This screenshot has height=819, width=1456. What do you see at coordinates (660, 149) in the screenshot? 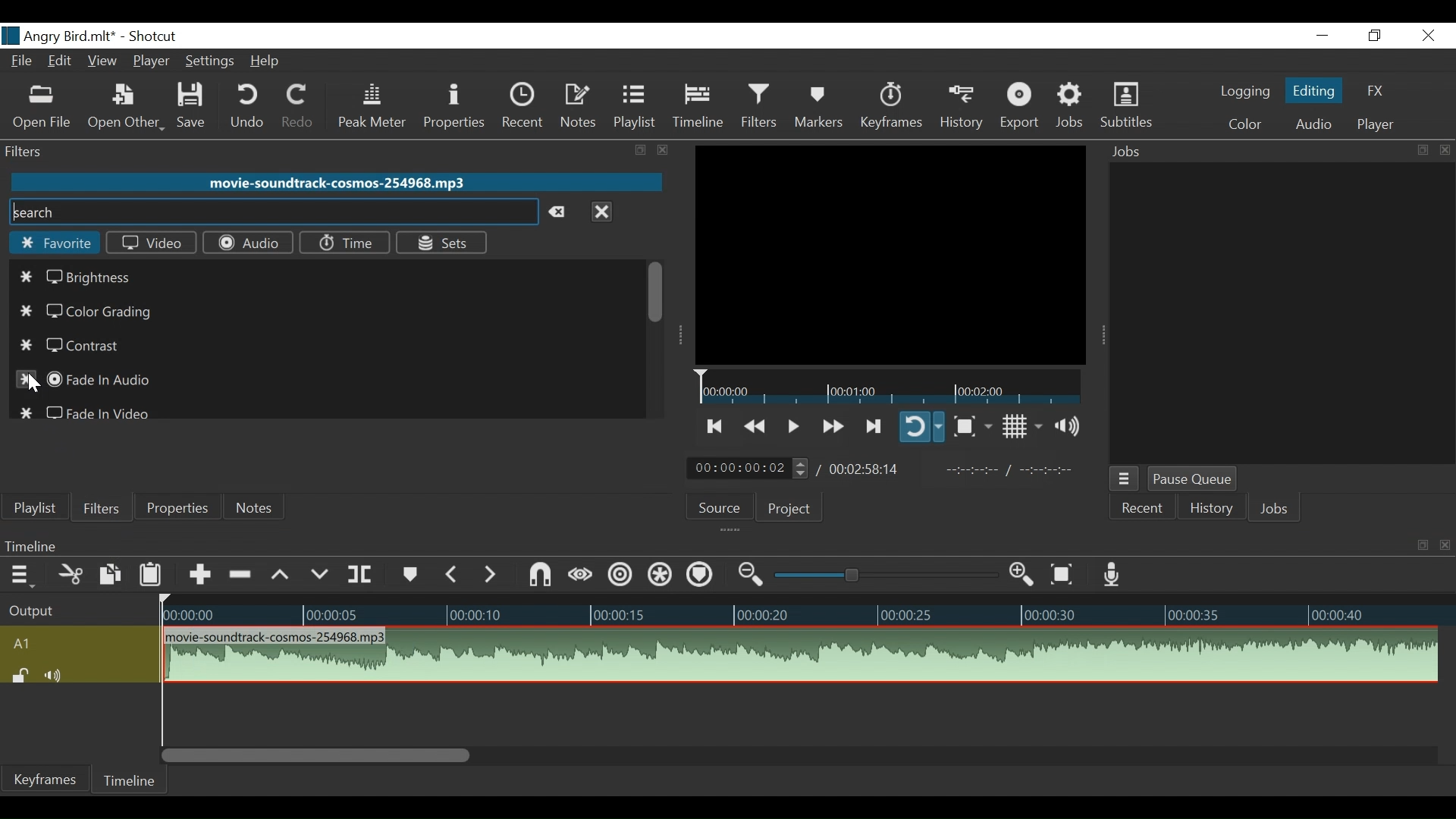
I see `close` at bounding box center [660, 149].